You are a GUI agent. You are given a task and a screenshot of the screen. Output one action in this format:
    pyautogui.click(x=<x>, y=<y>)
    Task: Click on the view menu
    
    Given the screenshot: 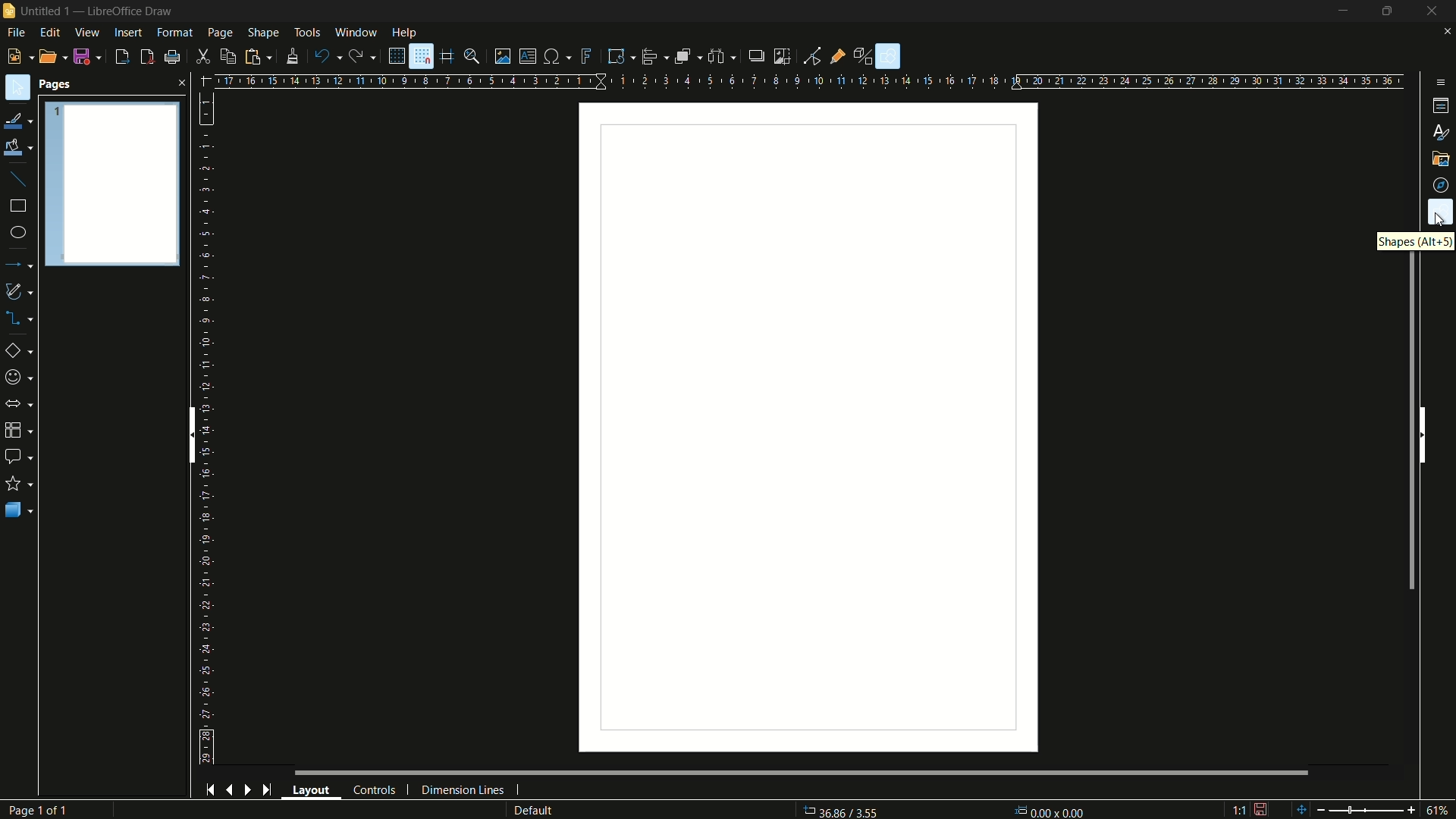 What is the action you would take?
    pyautogui.click(x=88, y=32)
    